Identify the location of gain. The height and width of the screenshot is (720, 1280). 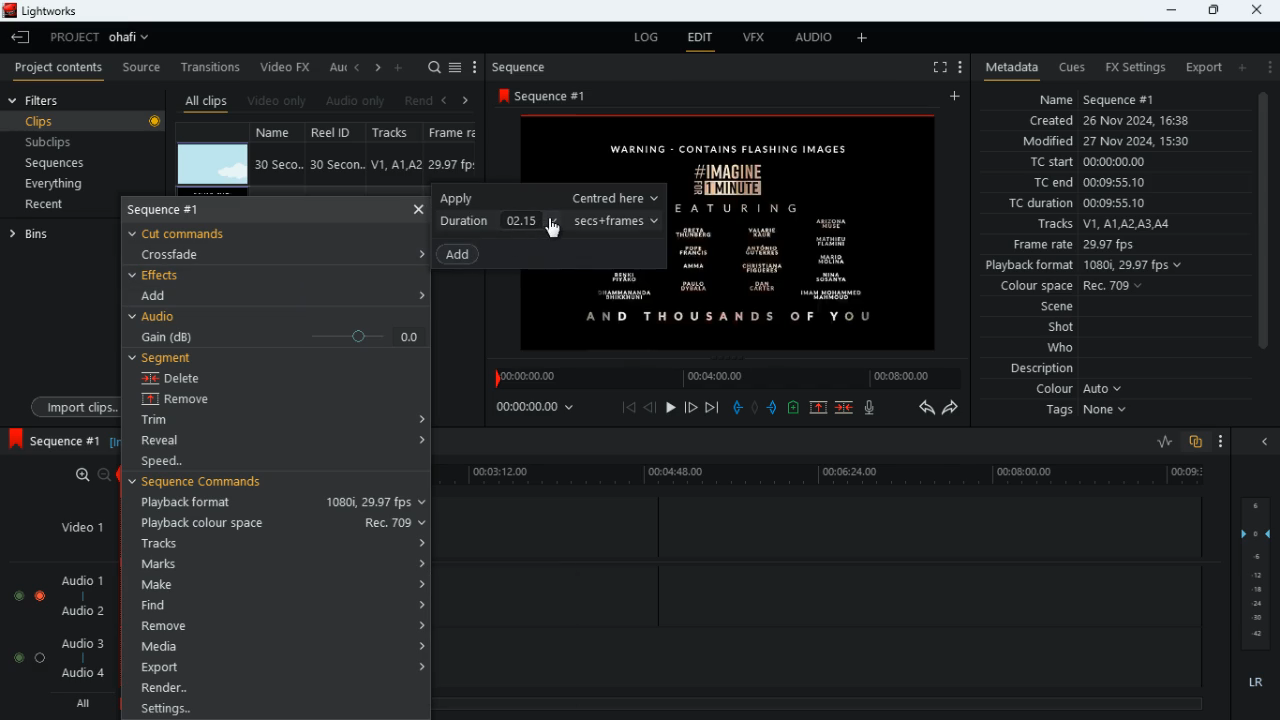
(278, 336).